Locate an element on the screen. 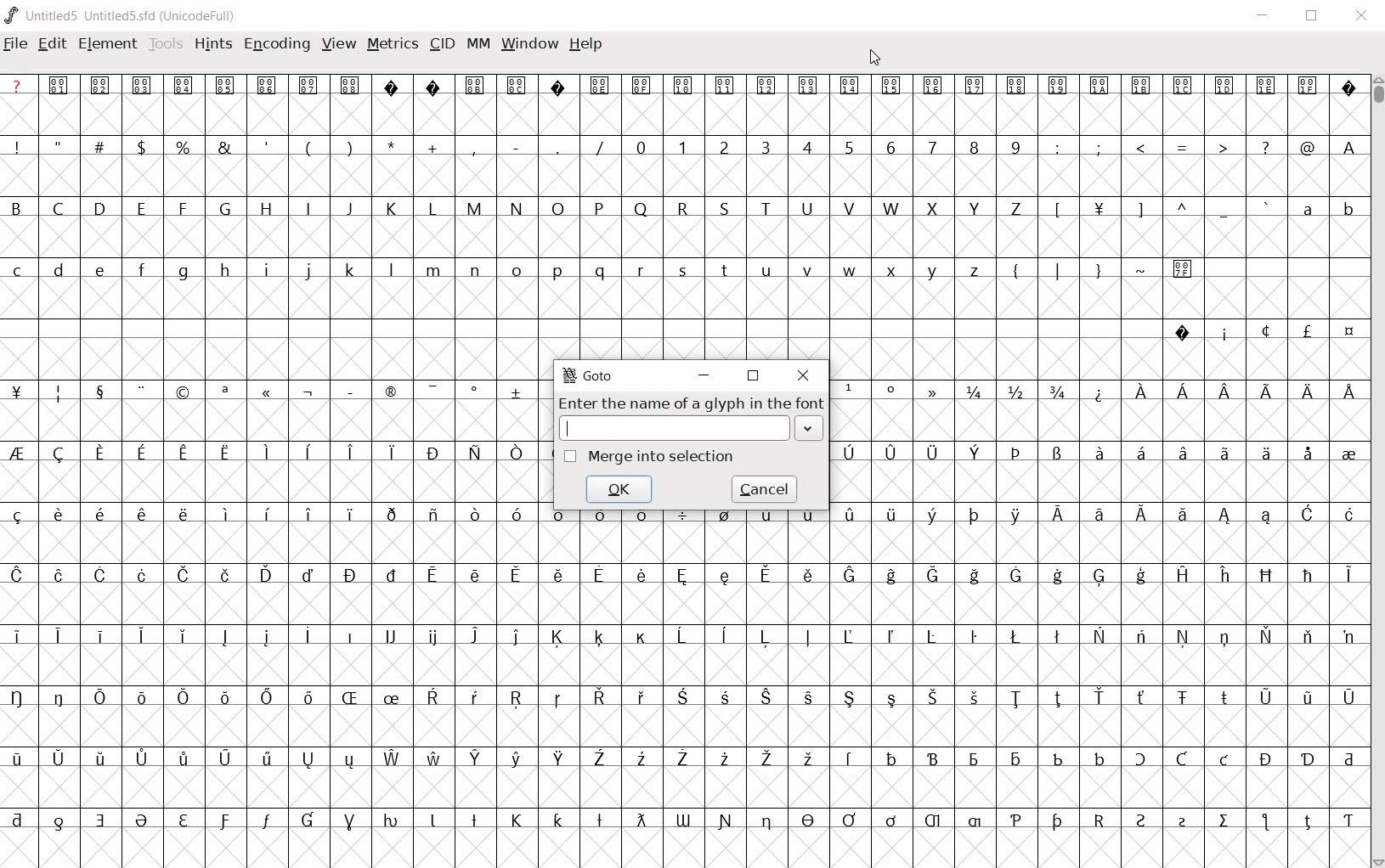 The height and width of the screenshot is (868, 1385). ( is located at coordinates (309, 148).